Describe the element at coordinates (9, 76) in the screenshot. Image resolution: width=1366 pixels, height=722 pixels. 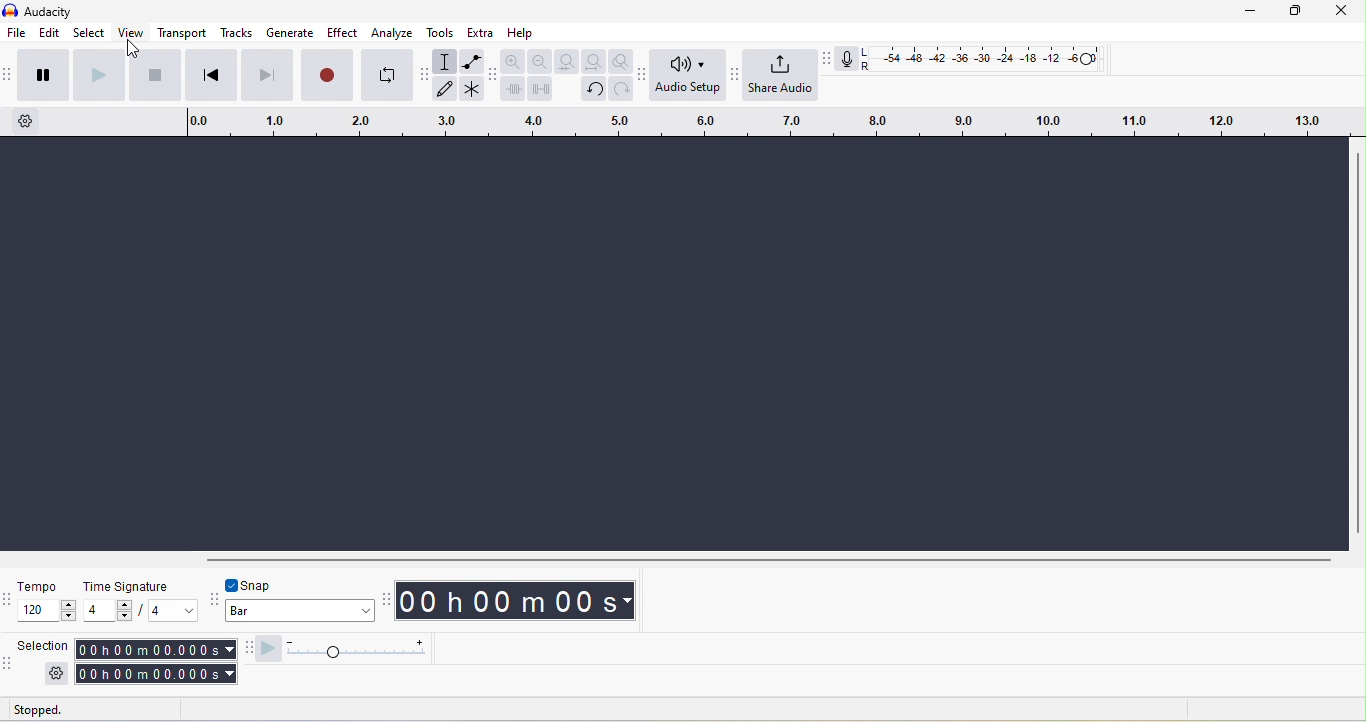
I see `audacity transport toolbar` at that location.